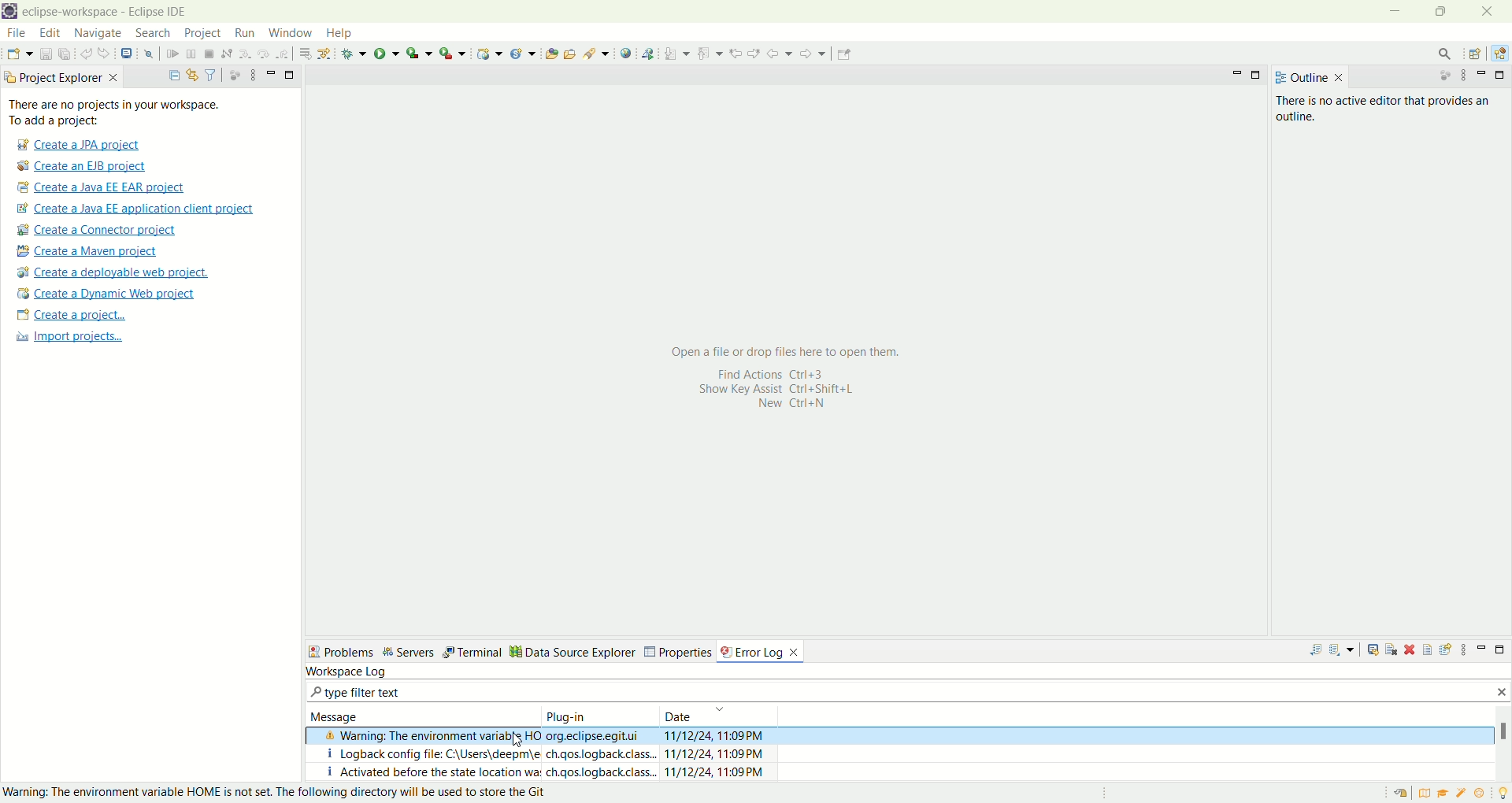 This screenshot has width=1512, height=803. Describe the element at coordinates (595, 54) in the screenshot. I see `search` at that location.